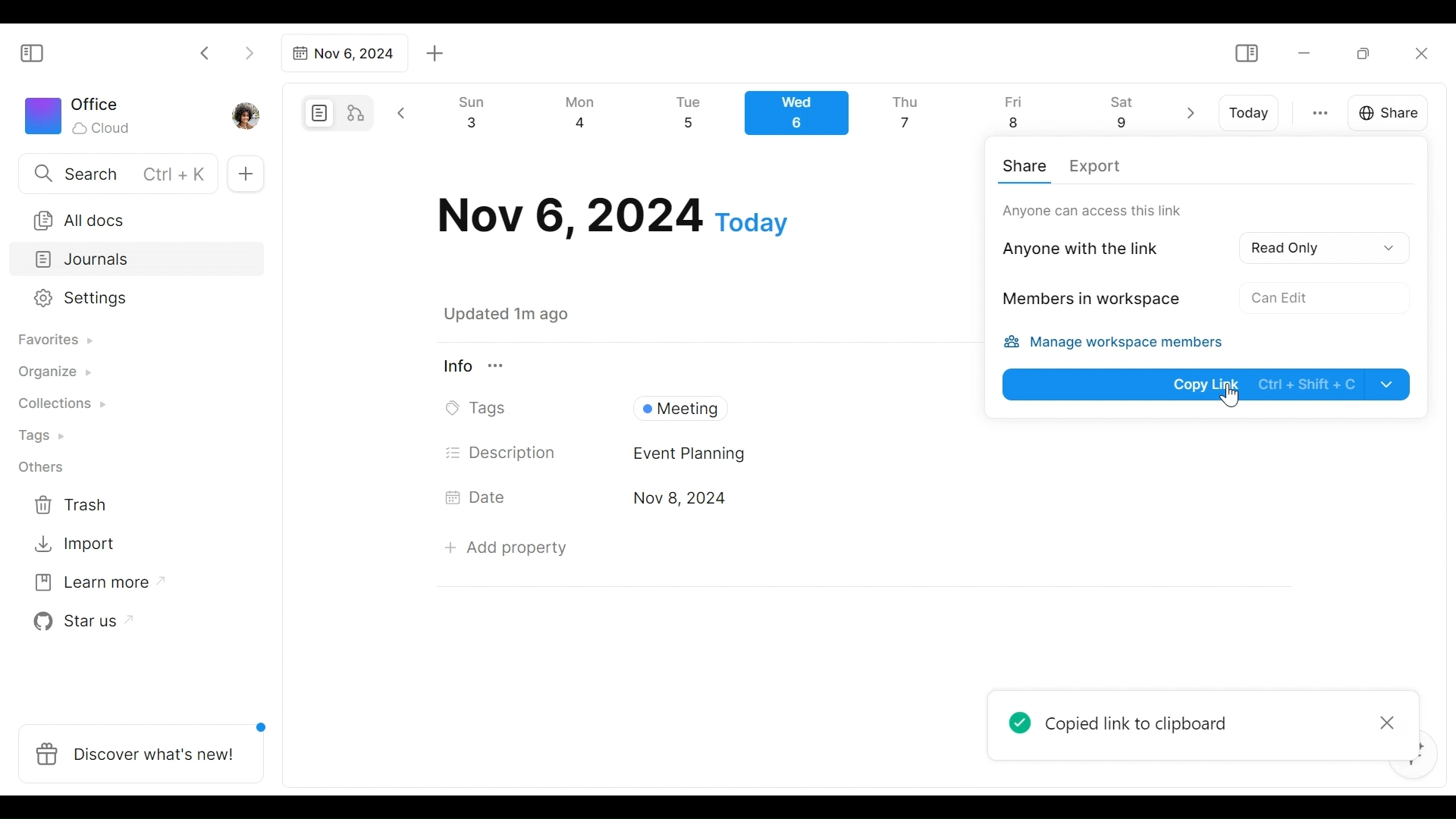 The height and width of the screenshot is (819, 1456). Describe the element at coordinates (206, 52) in the screenshot. I see `Click to go back` at that location.